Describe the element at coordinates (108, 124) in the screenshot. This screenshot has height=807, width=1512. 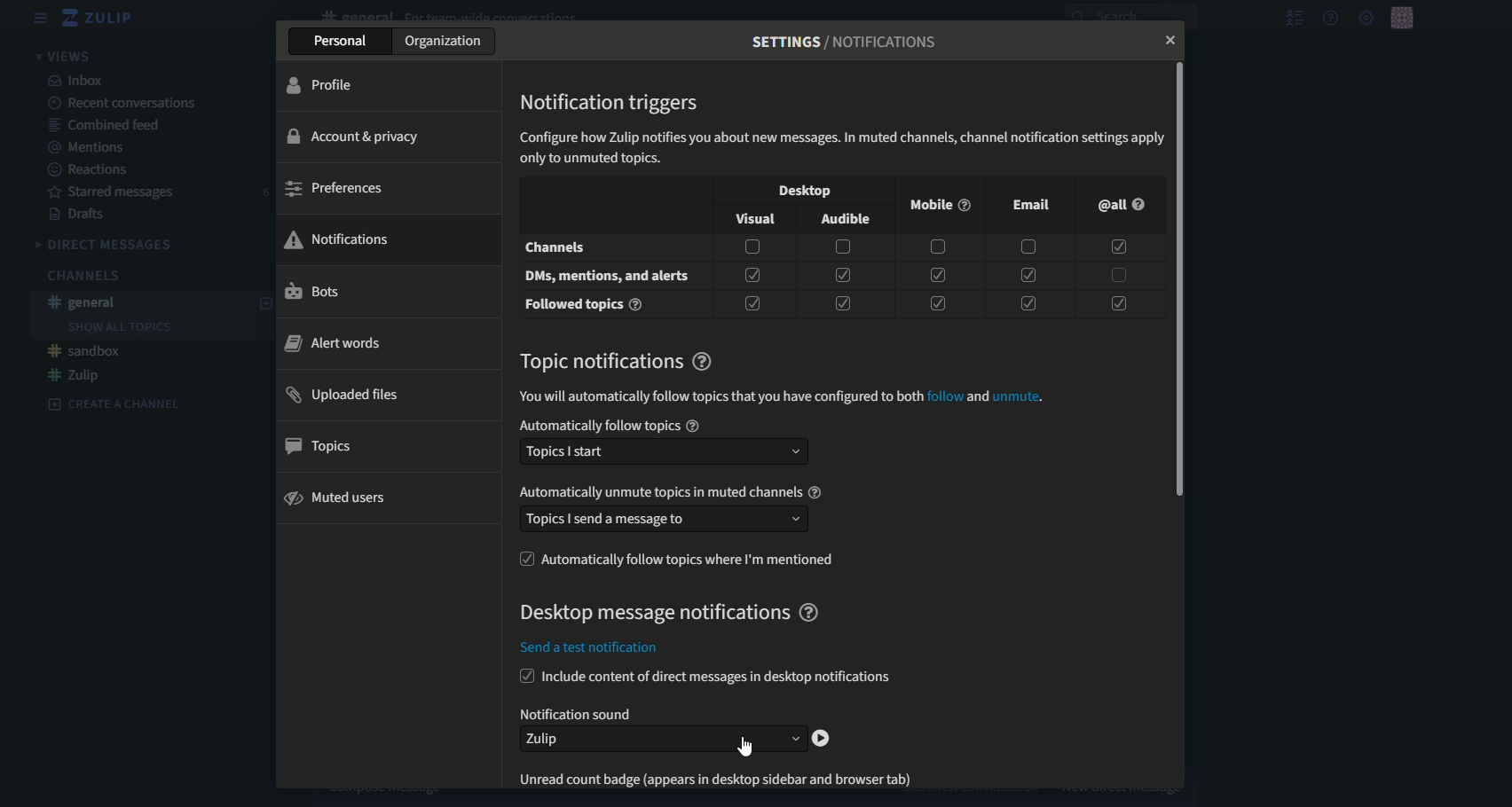
I see `combined feed` at that location.